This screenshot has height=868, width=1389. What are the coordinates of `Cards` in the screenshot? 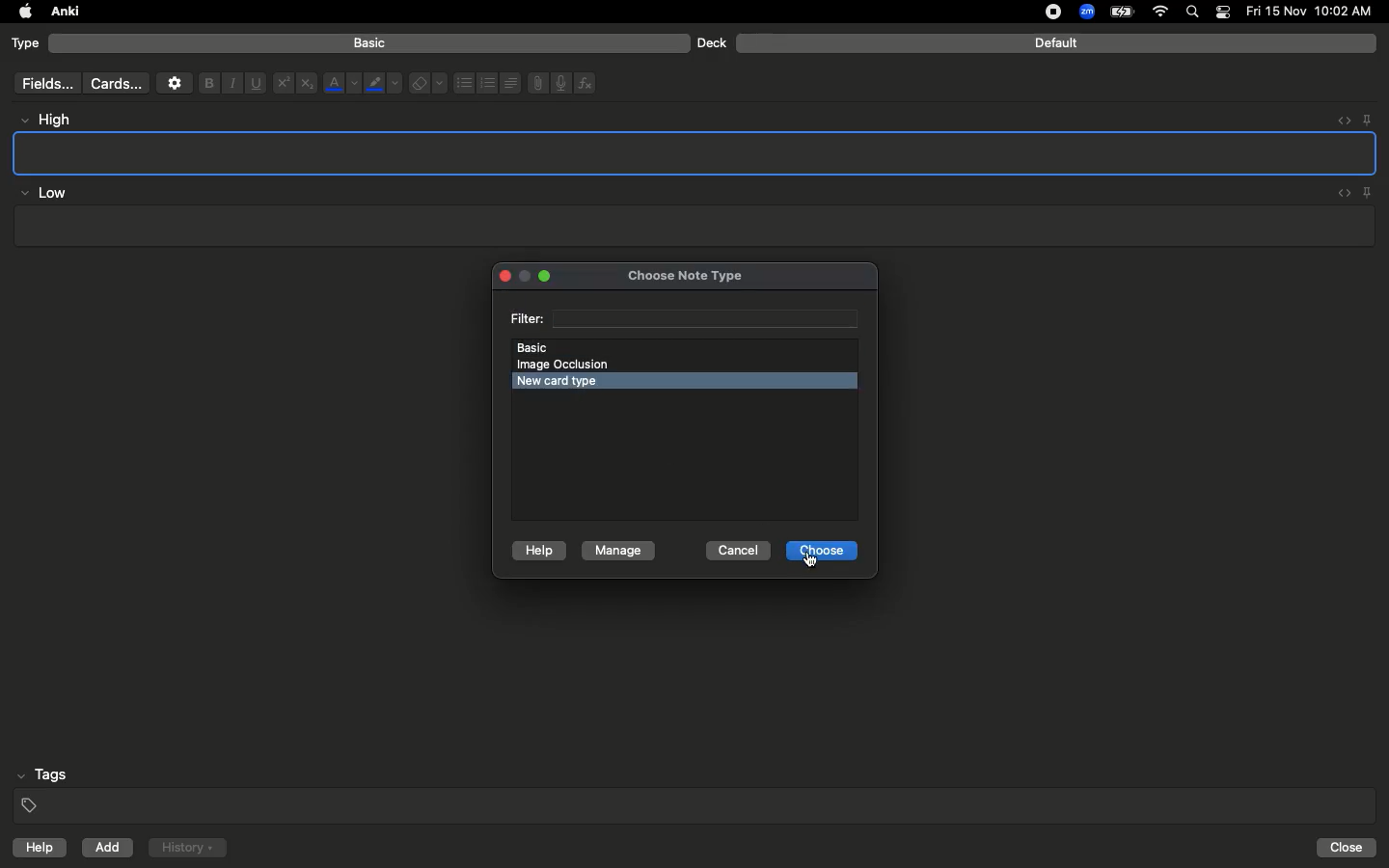 It's located at (116, 84).